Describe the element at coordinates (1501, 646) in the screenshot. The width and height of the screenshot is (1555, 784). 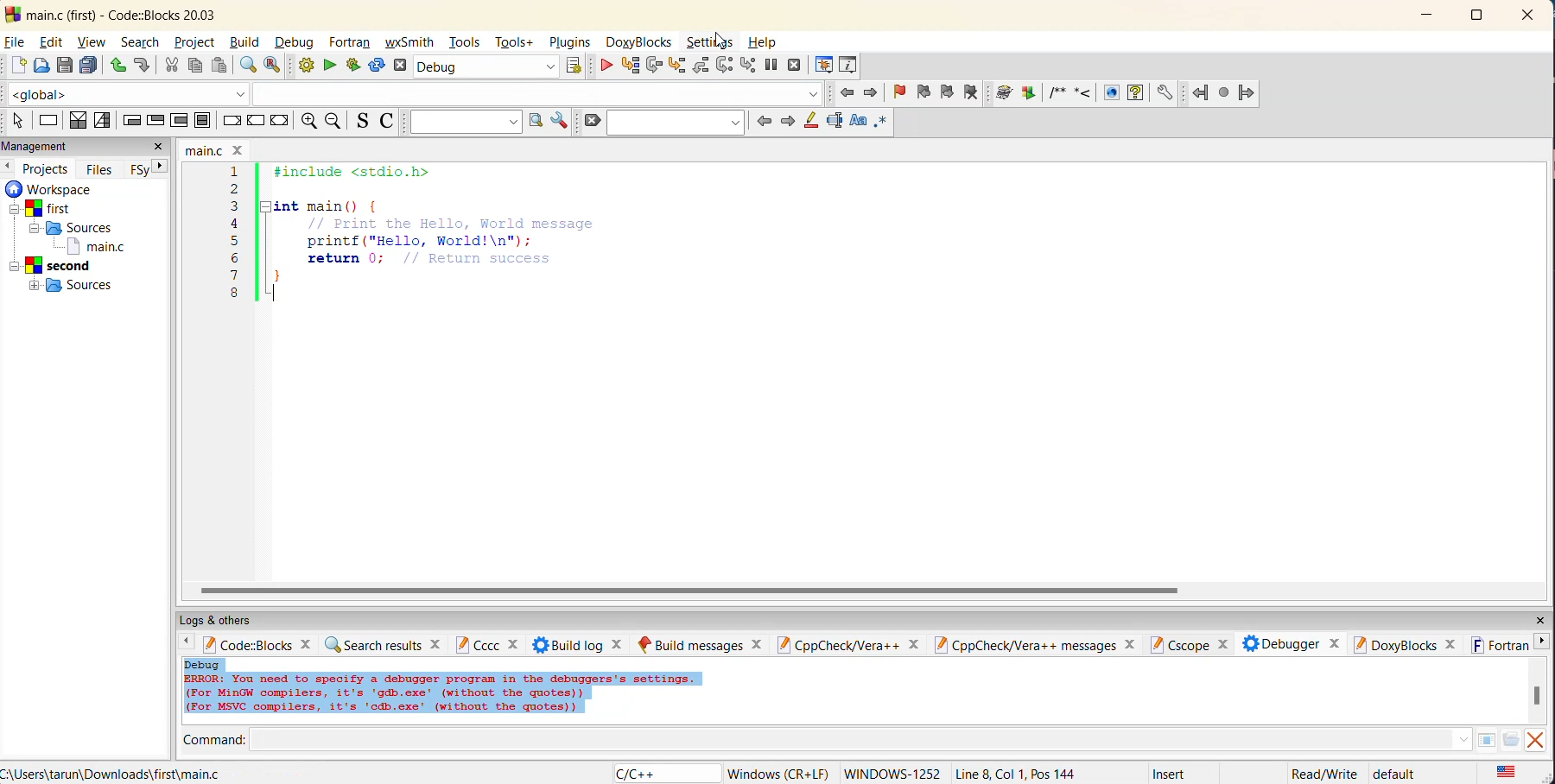
I see `fortran info` at that location.